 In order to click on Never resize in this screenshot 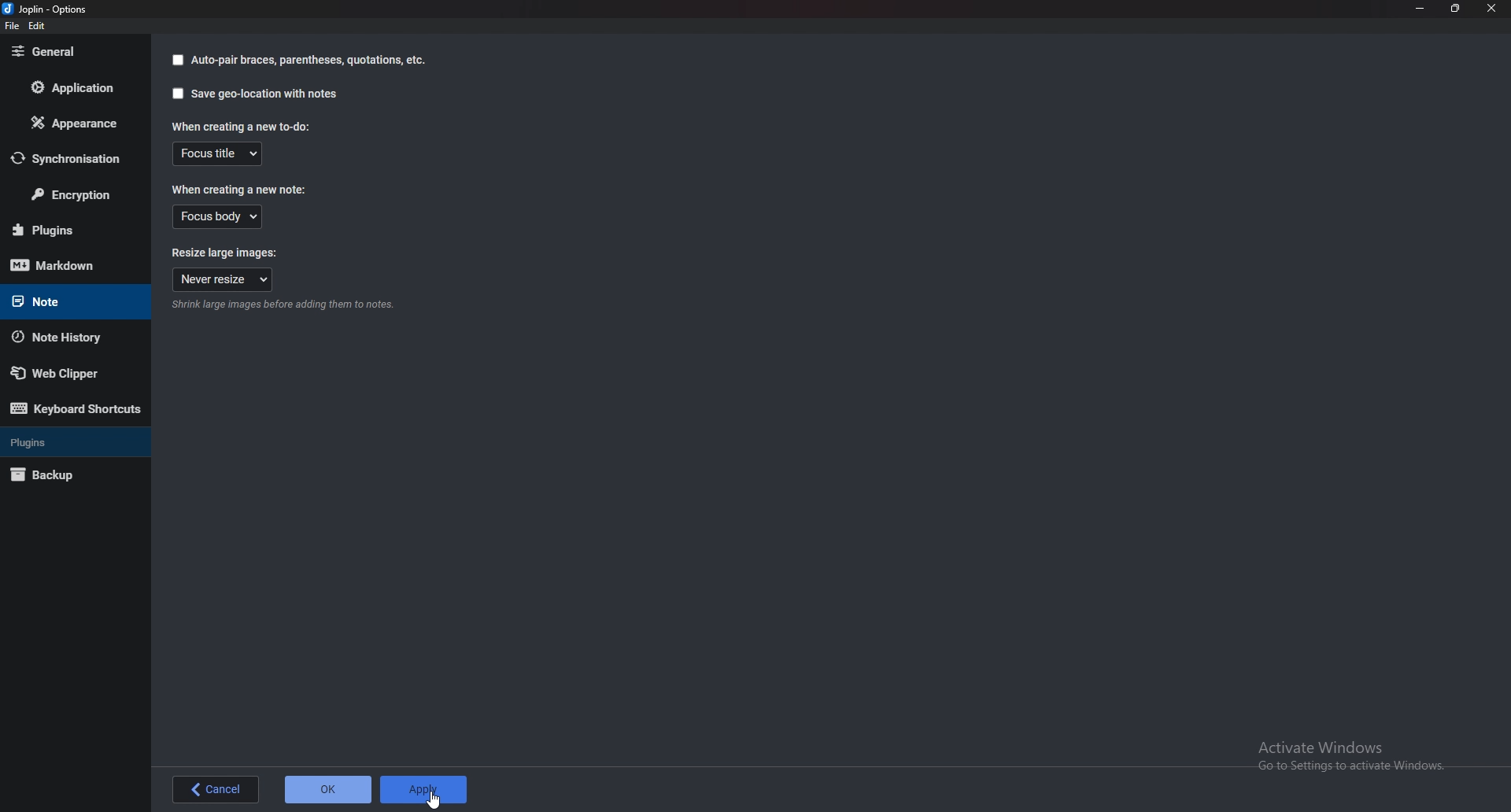, I will do `click(222, 280)`.